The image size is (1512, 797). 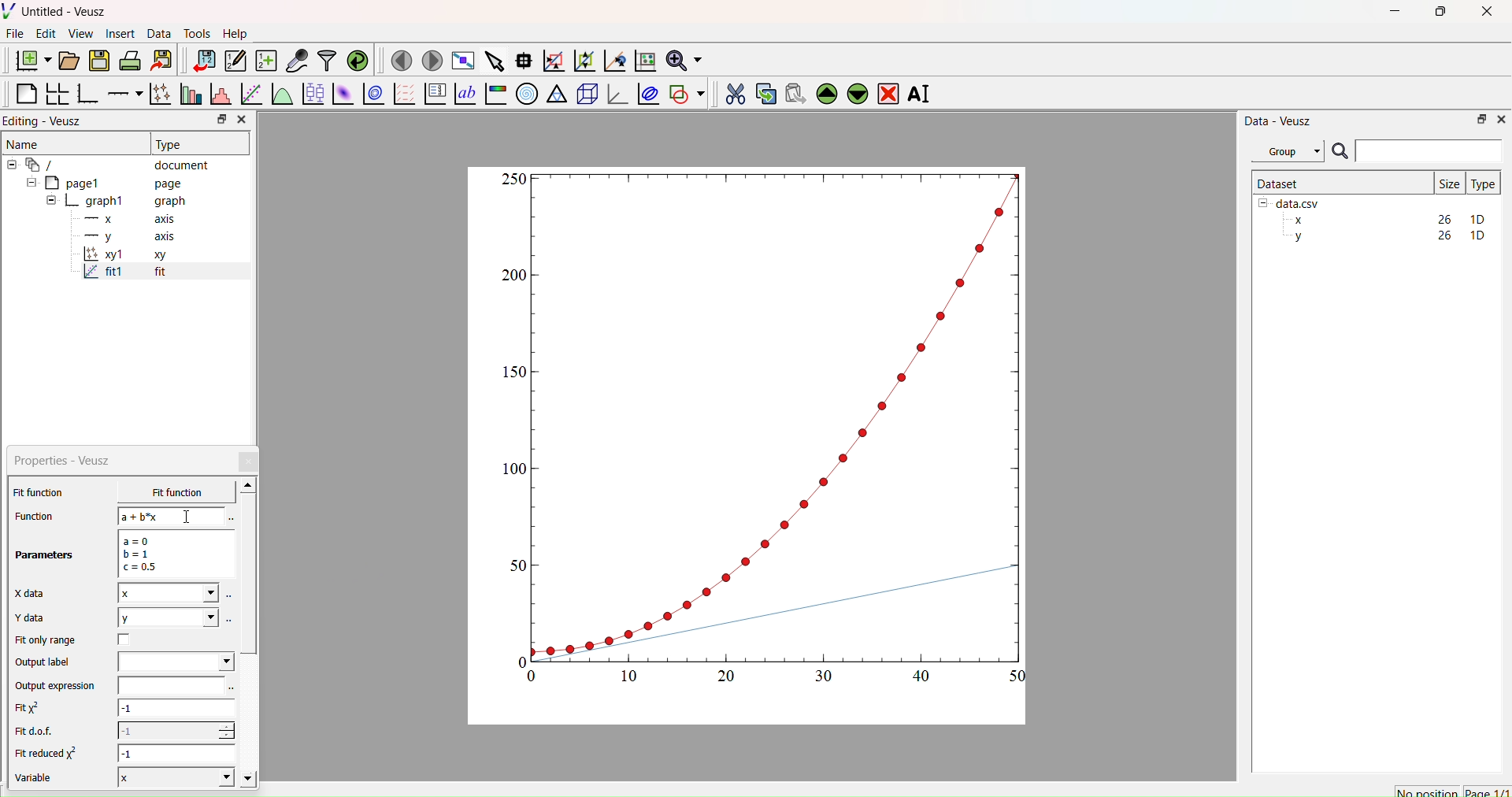 What do you see at coordinates (1395, 15) in the screenshot?
I see `Minimize` at bounding box center [1395, 15].